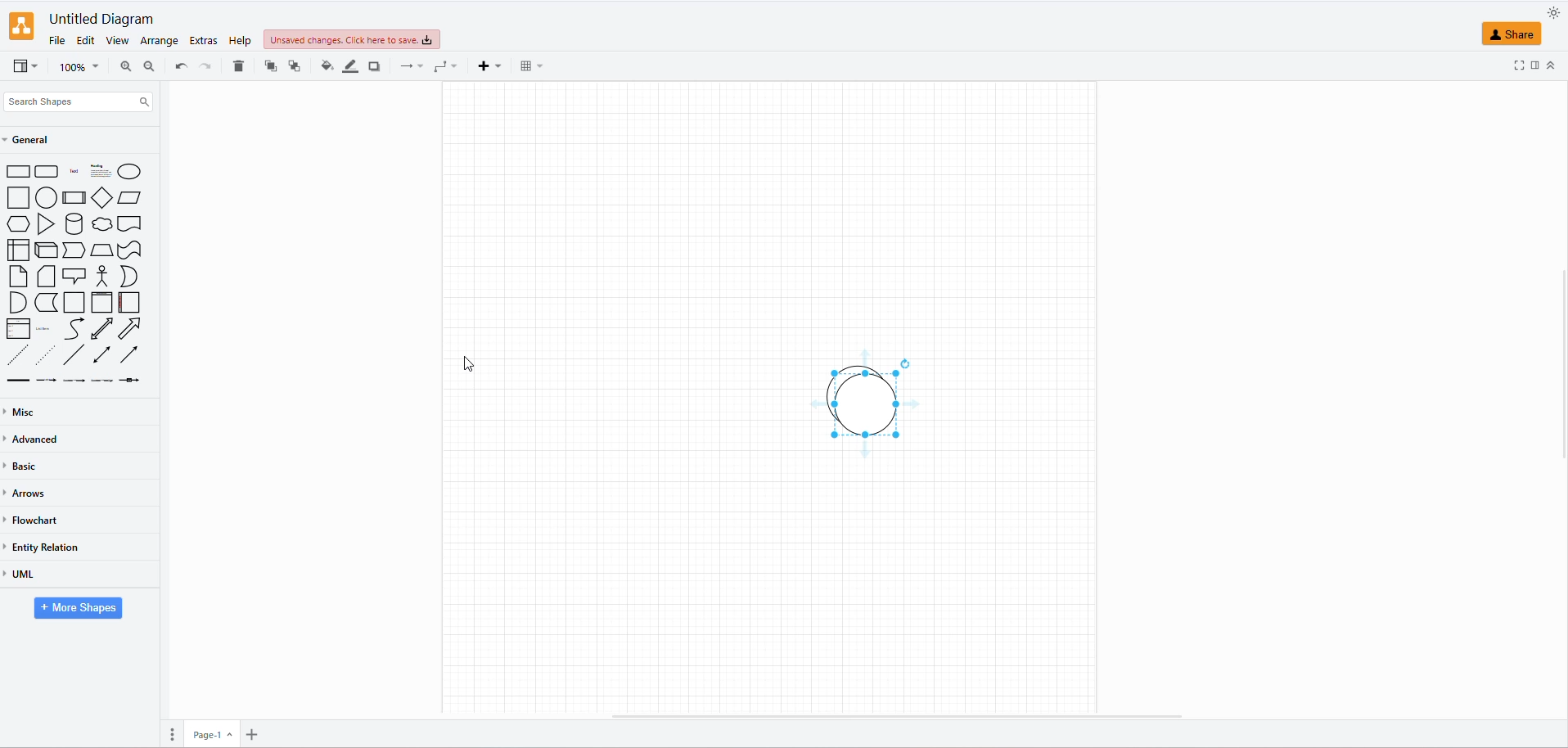 This screenshot has width=1568, height=748. I want to click on HORIZONTAL CONTAINER , so click(125, 303).